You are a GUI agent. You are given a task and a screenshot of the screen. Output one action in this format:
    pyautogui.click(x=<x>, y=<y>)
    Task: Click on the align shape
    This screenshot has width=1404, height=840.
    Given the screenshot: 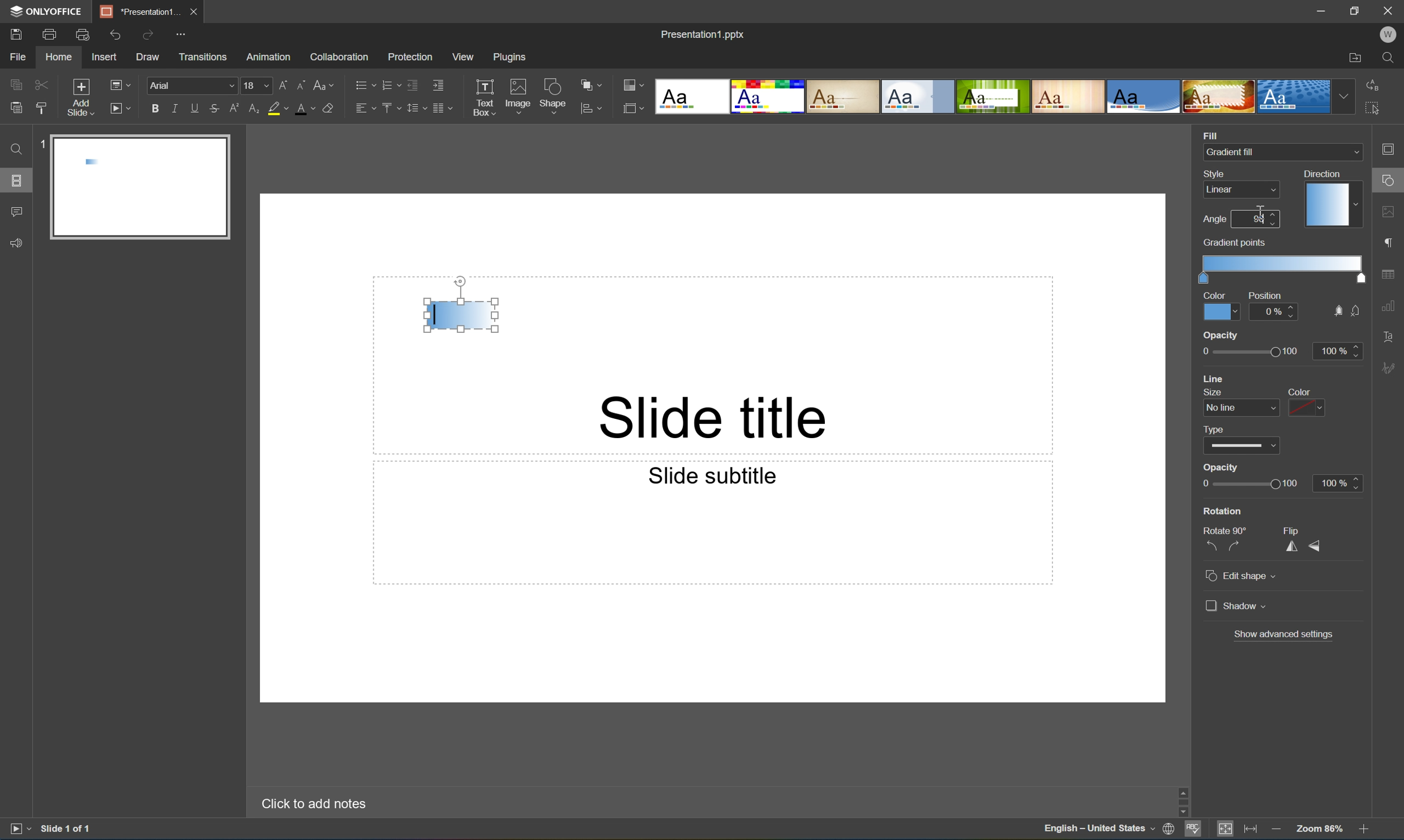 What is the action you would take?
    pyautogui.click(x=593, y=109)
    